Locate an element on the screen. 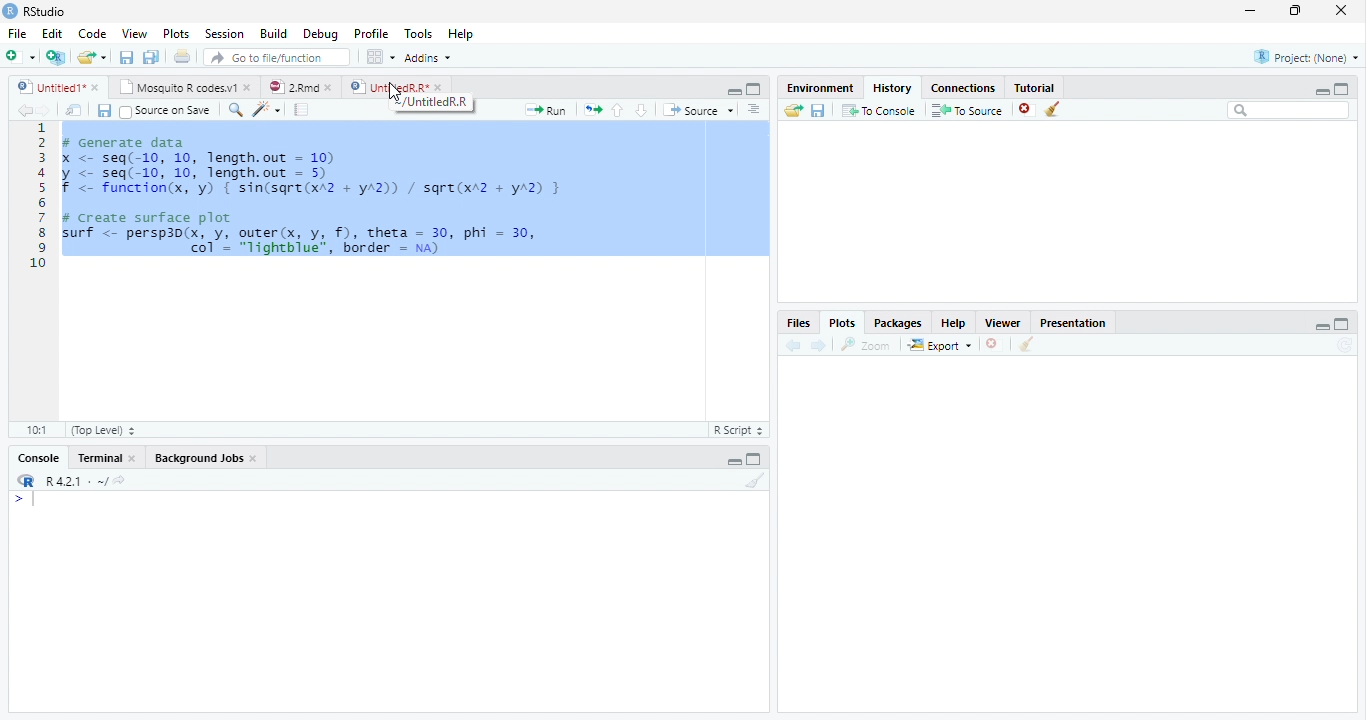 This screenshot has width=1366, height=720. To Console is located at coordinates (879, 110).